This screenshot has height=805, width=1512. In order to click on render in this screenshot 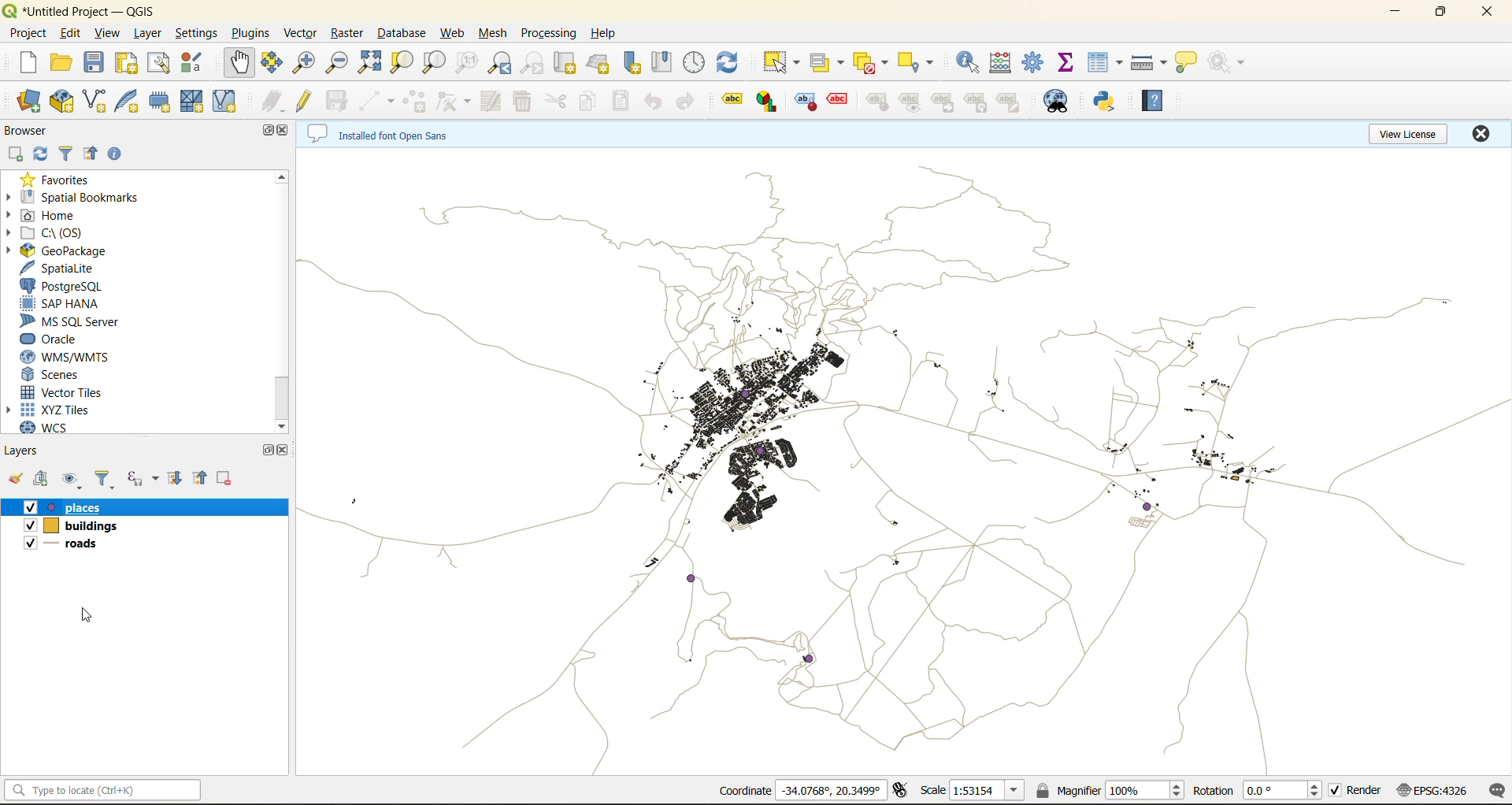, I will do `click(1366, 790)`.